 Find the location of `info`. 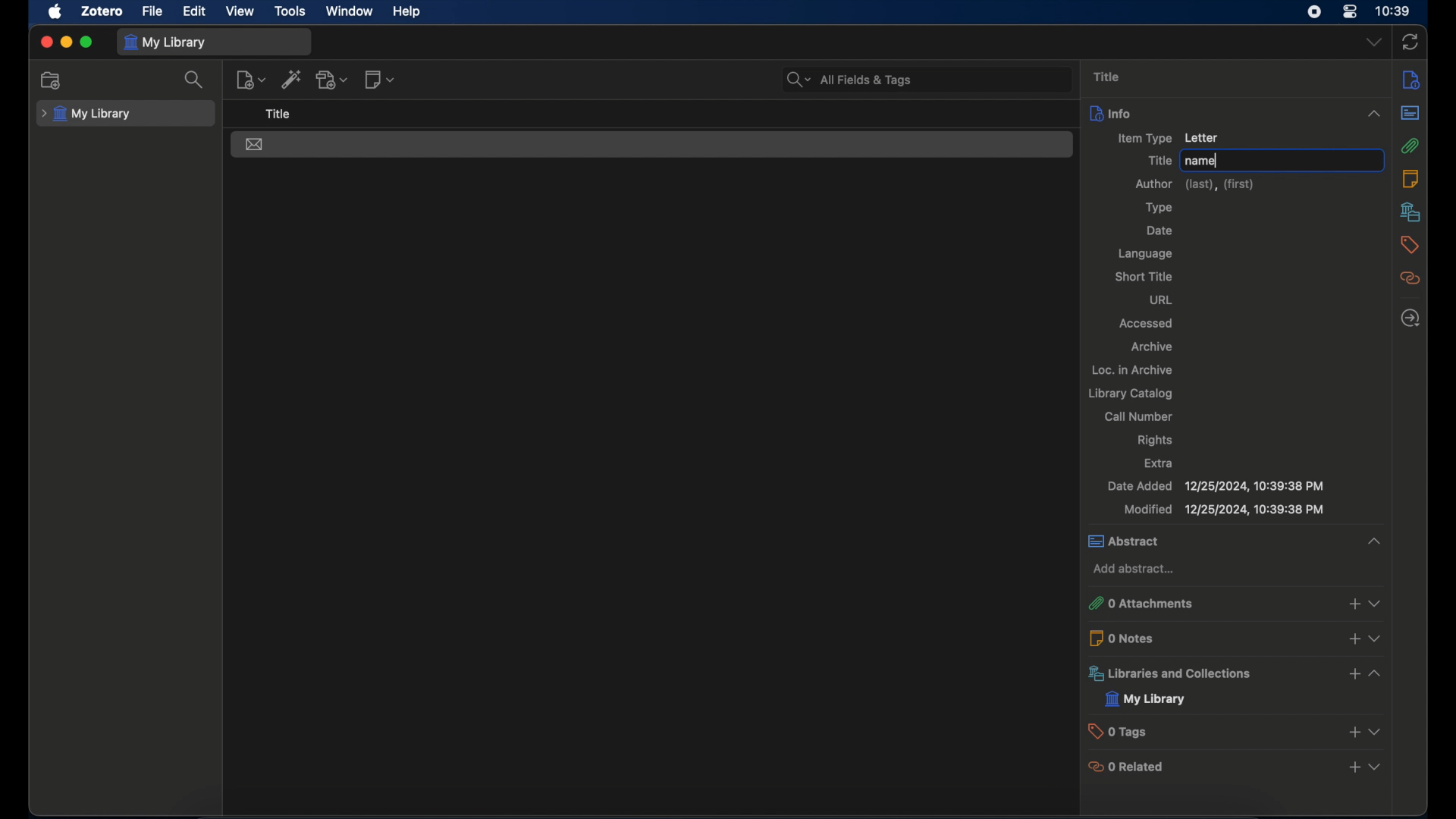

info is located at coordinates (1237, 113).